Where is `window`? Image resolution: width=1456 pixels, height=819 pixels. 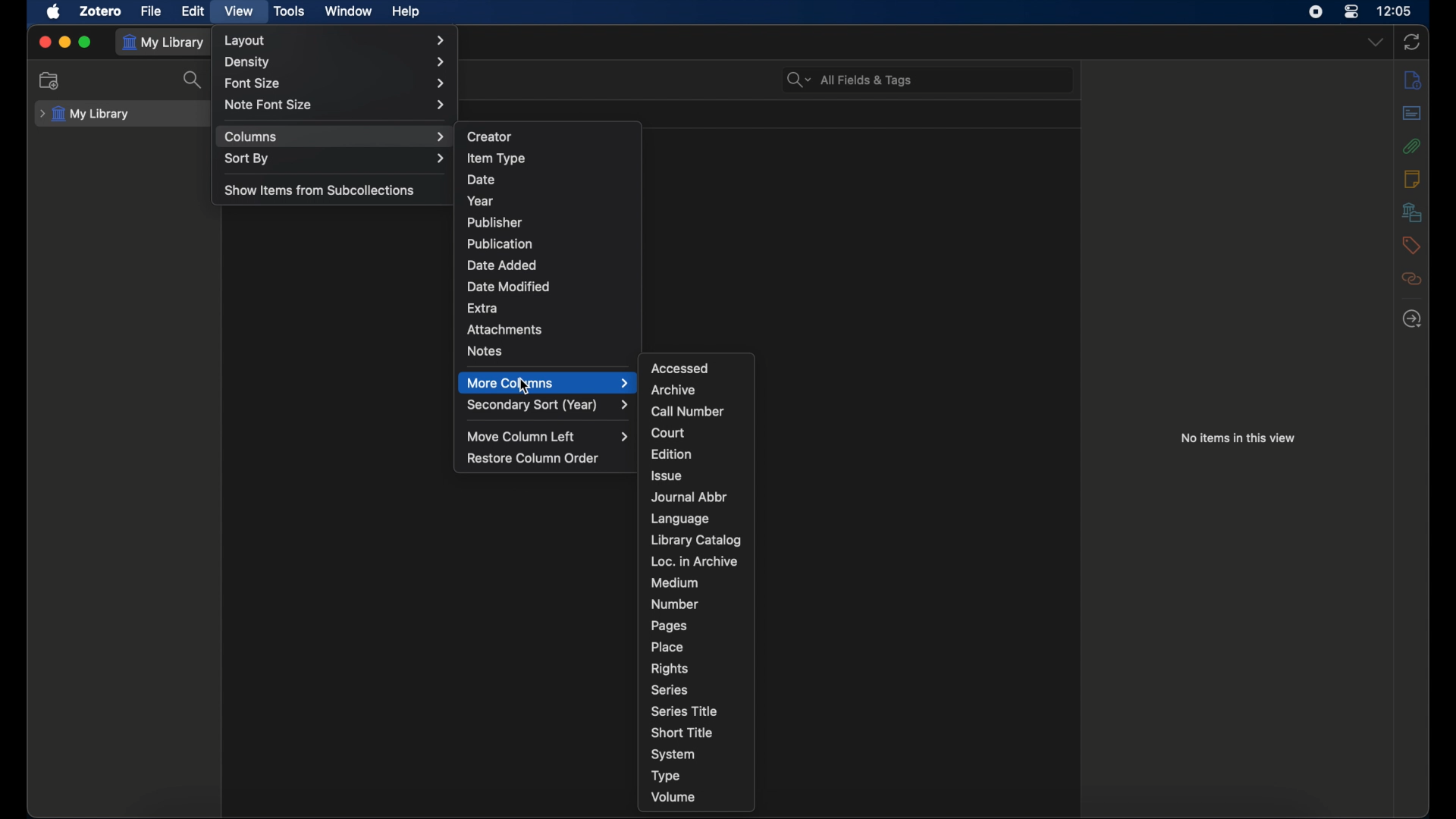 window is located at coordinates (347, 10).